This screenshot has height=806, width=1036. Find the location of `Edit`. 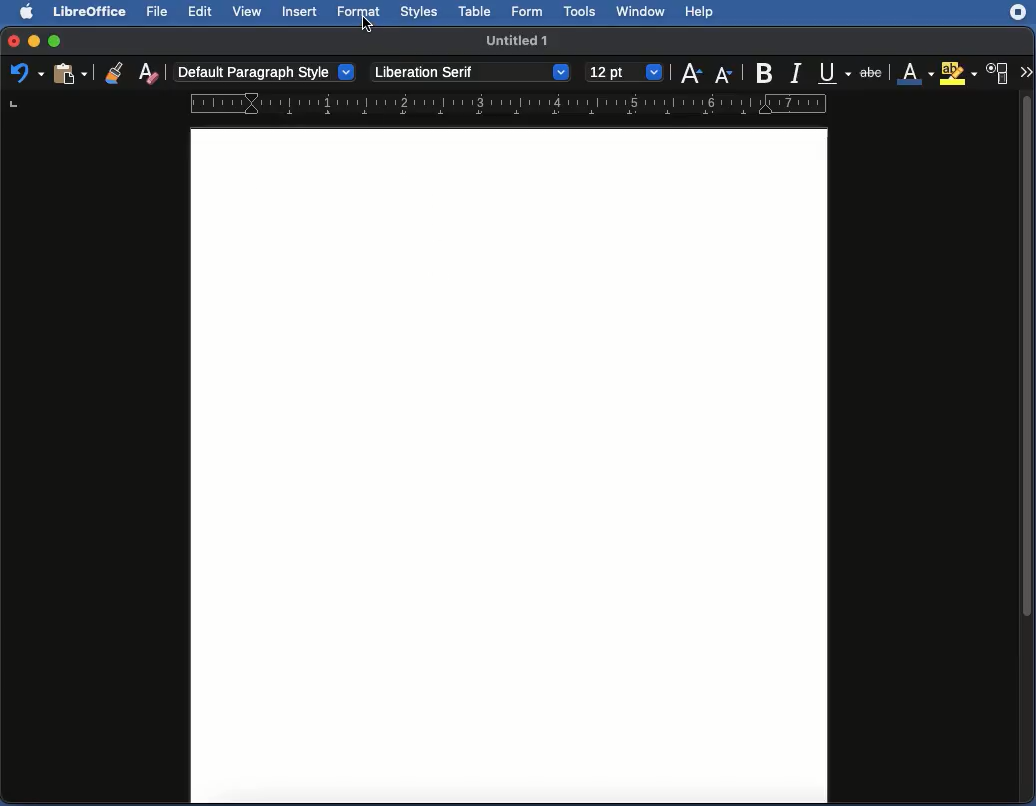

Edit is located at coordinates (200, 12).